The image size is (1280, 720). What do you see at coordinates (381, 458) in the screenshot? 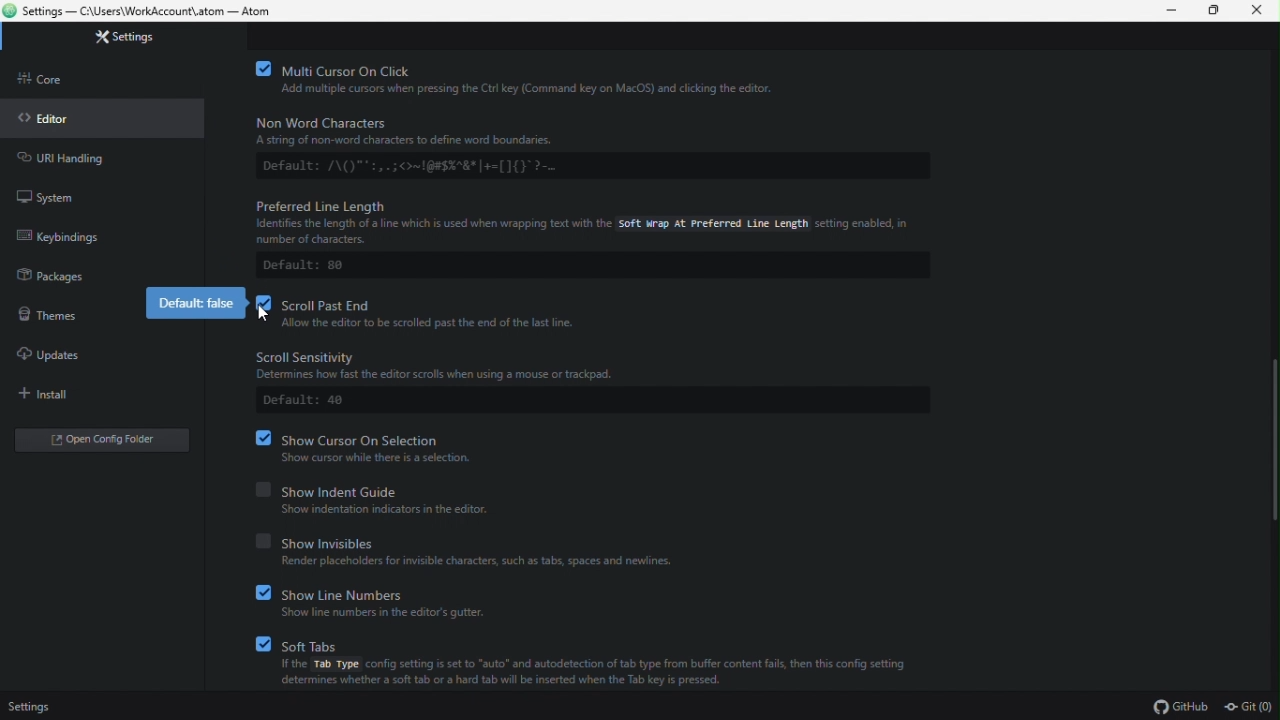
I see `‘Show cursor while there i a selection.` at bounding box center [381, 458].